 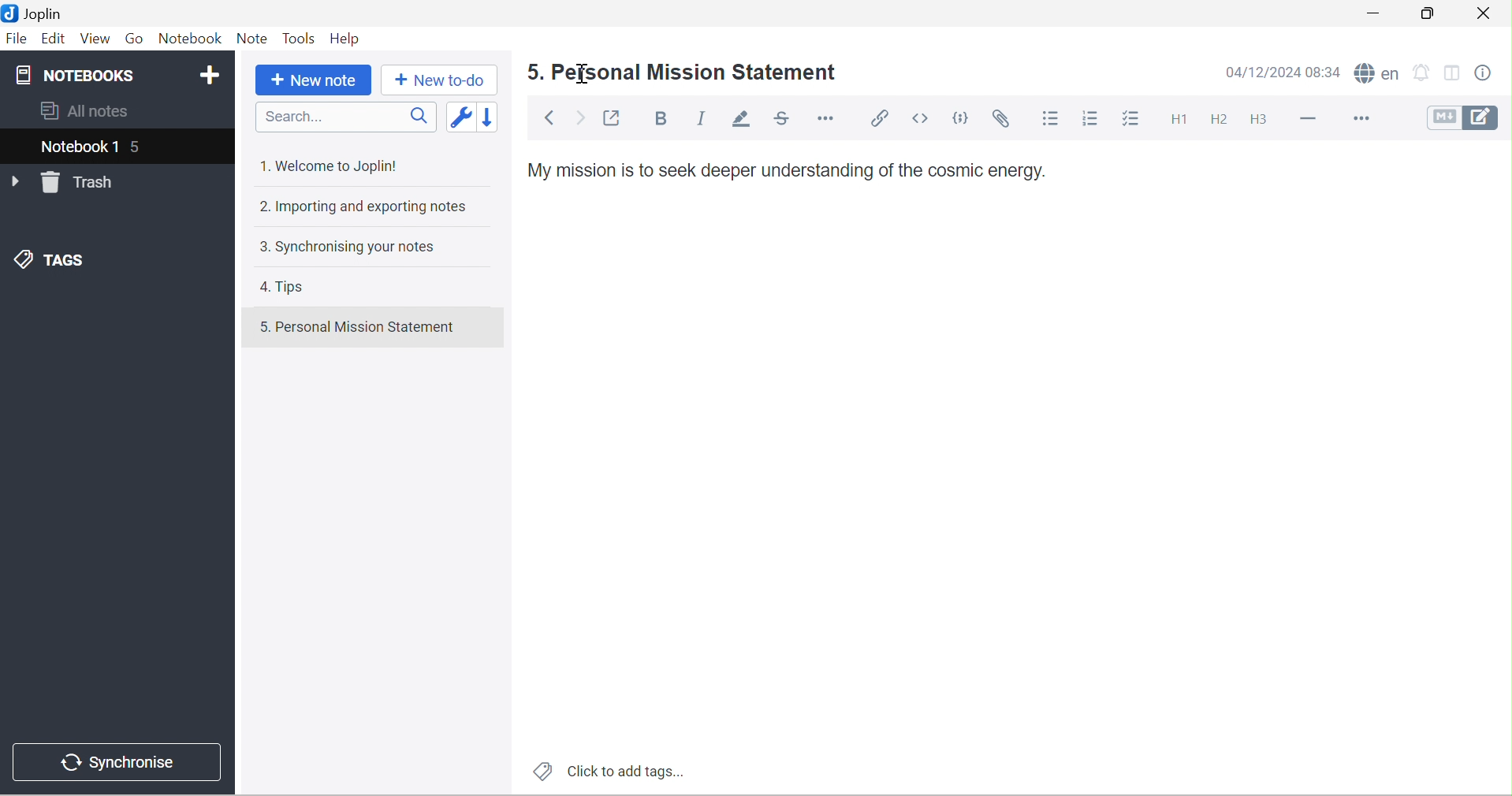 I want to click on New to-do, so click(x=445, y=80).